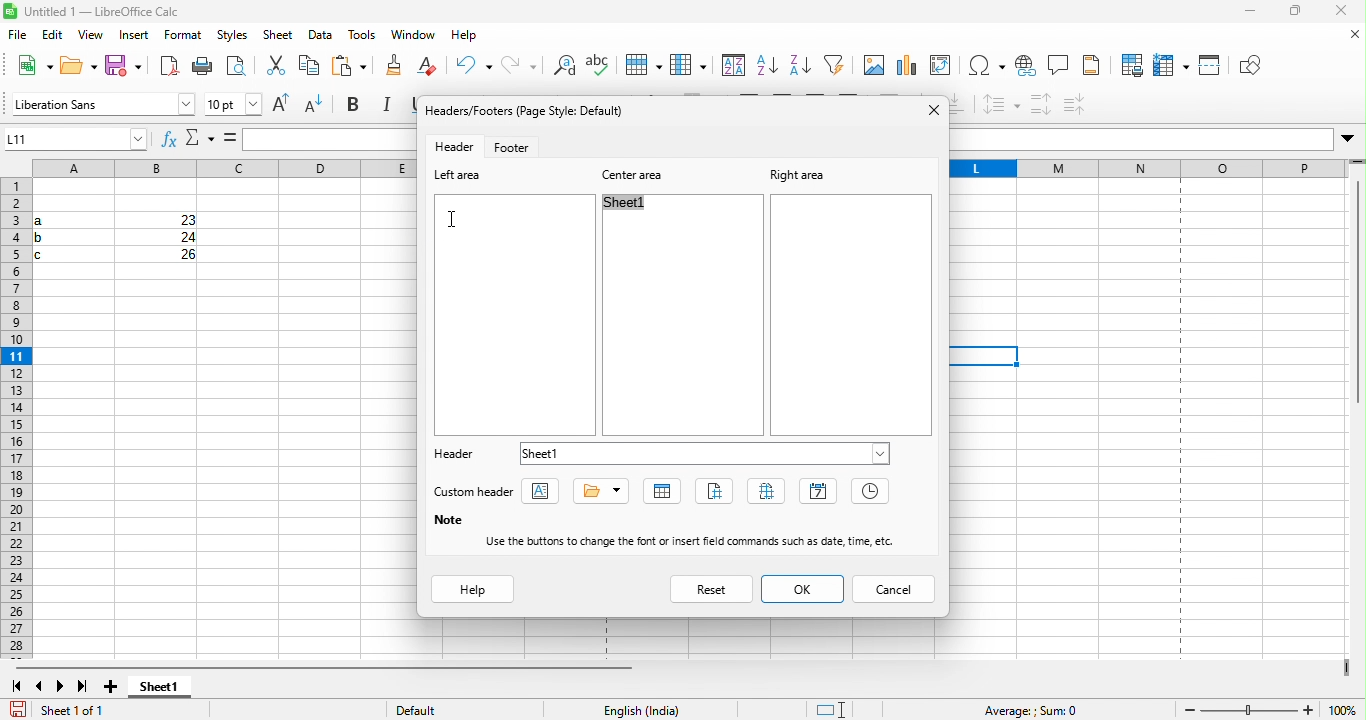  What do you see at coordinates (811, 173) in the screenshot?
I see `right area` at bounding box center [811, 173].